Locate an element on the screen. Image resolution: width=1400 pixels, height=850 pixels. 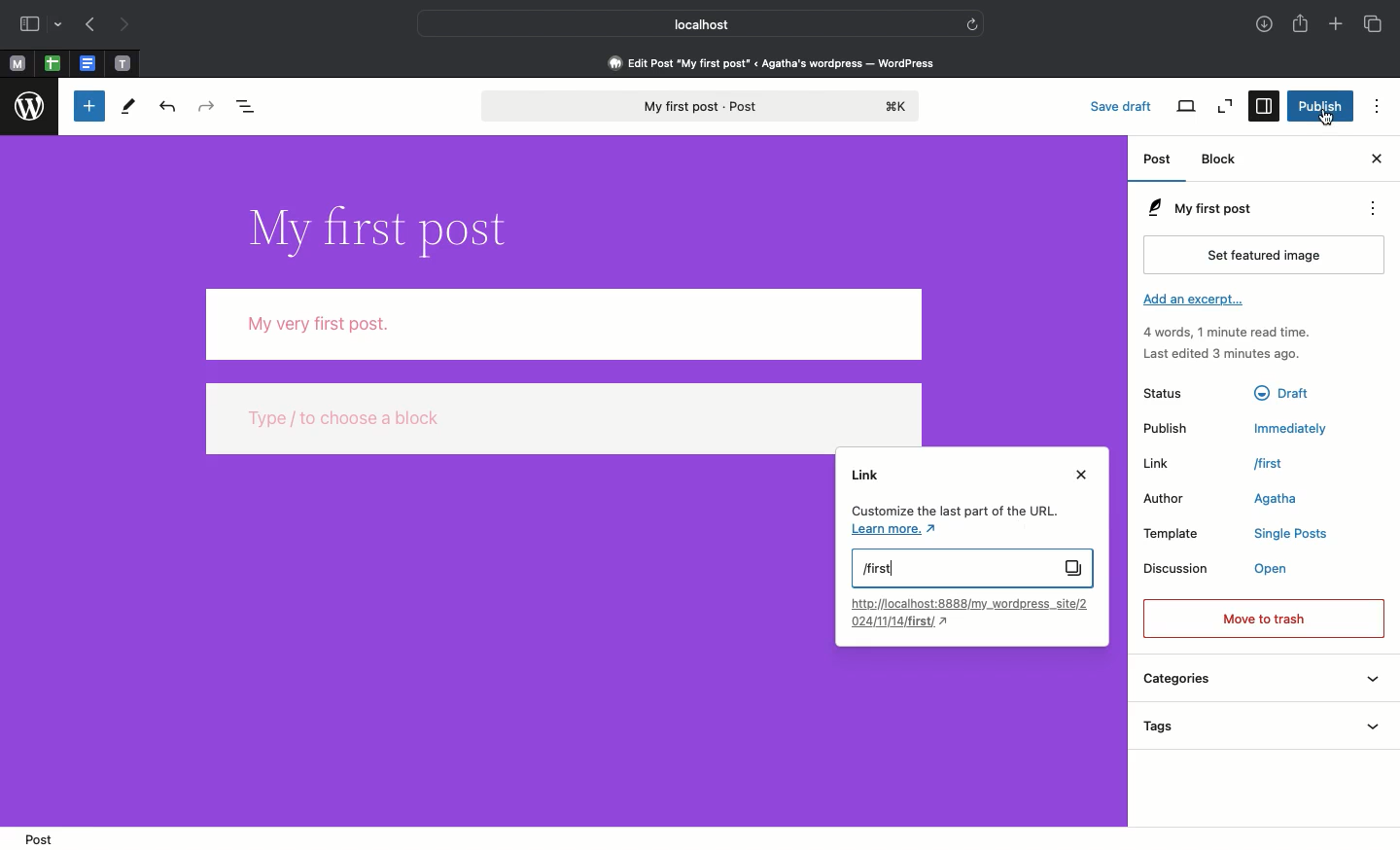
Toggle blocker is located at coordinates (89, 105).